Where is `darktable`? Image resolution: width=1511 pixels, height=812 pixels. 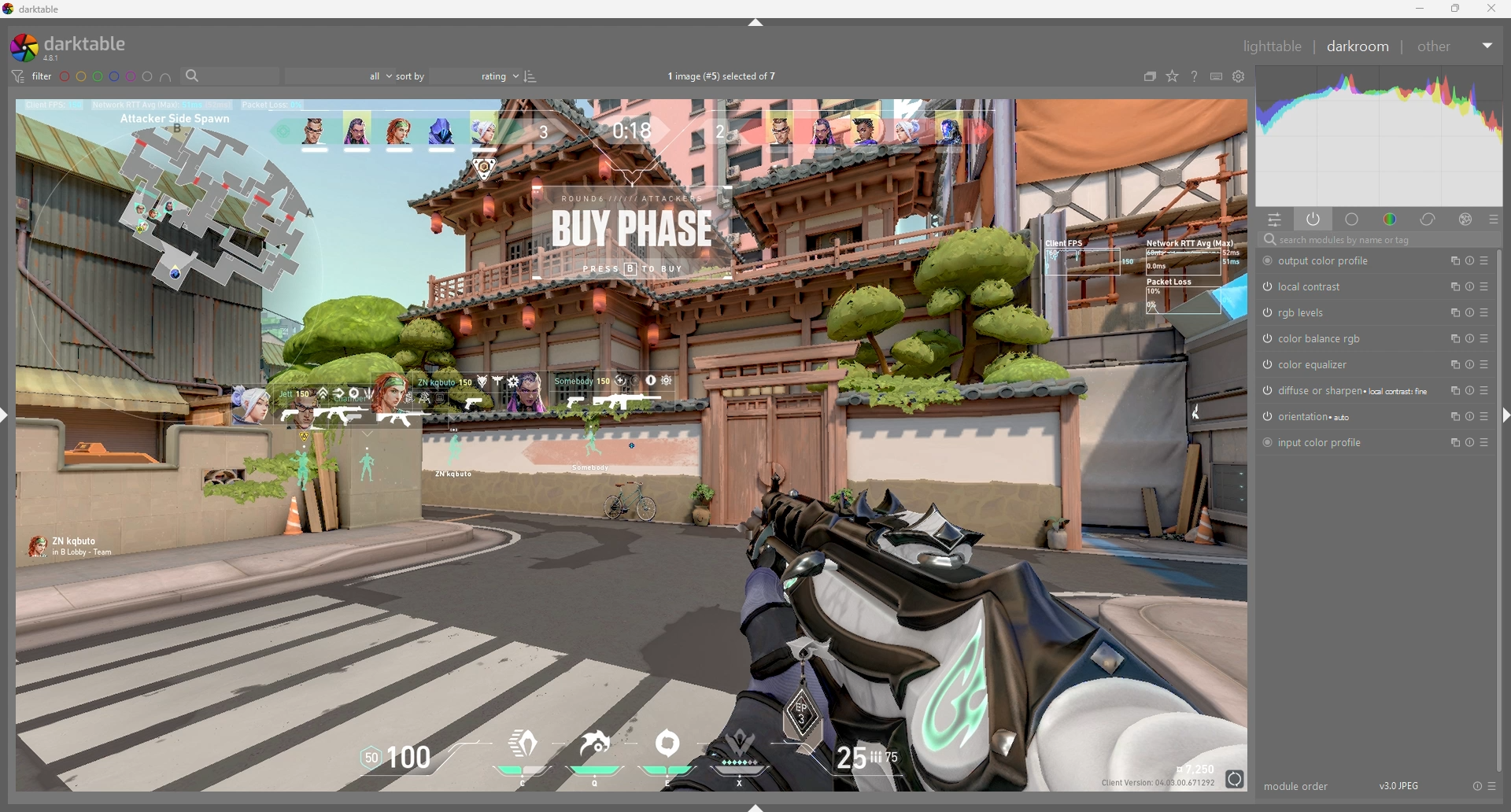
darktable is located at coordinates (73, 47).